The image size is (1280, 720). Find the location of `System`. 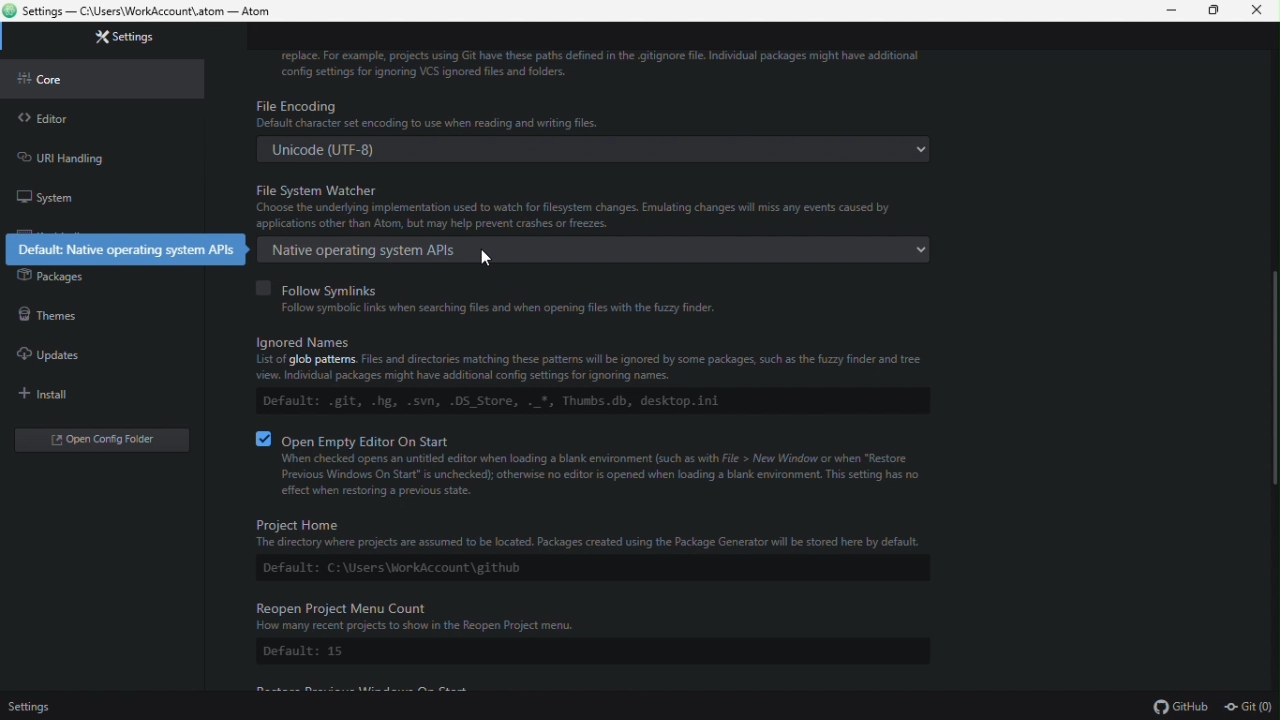

System is located at coordinates (55, 199).